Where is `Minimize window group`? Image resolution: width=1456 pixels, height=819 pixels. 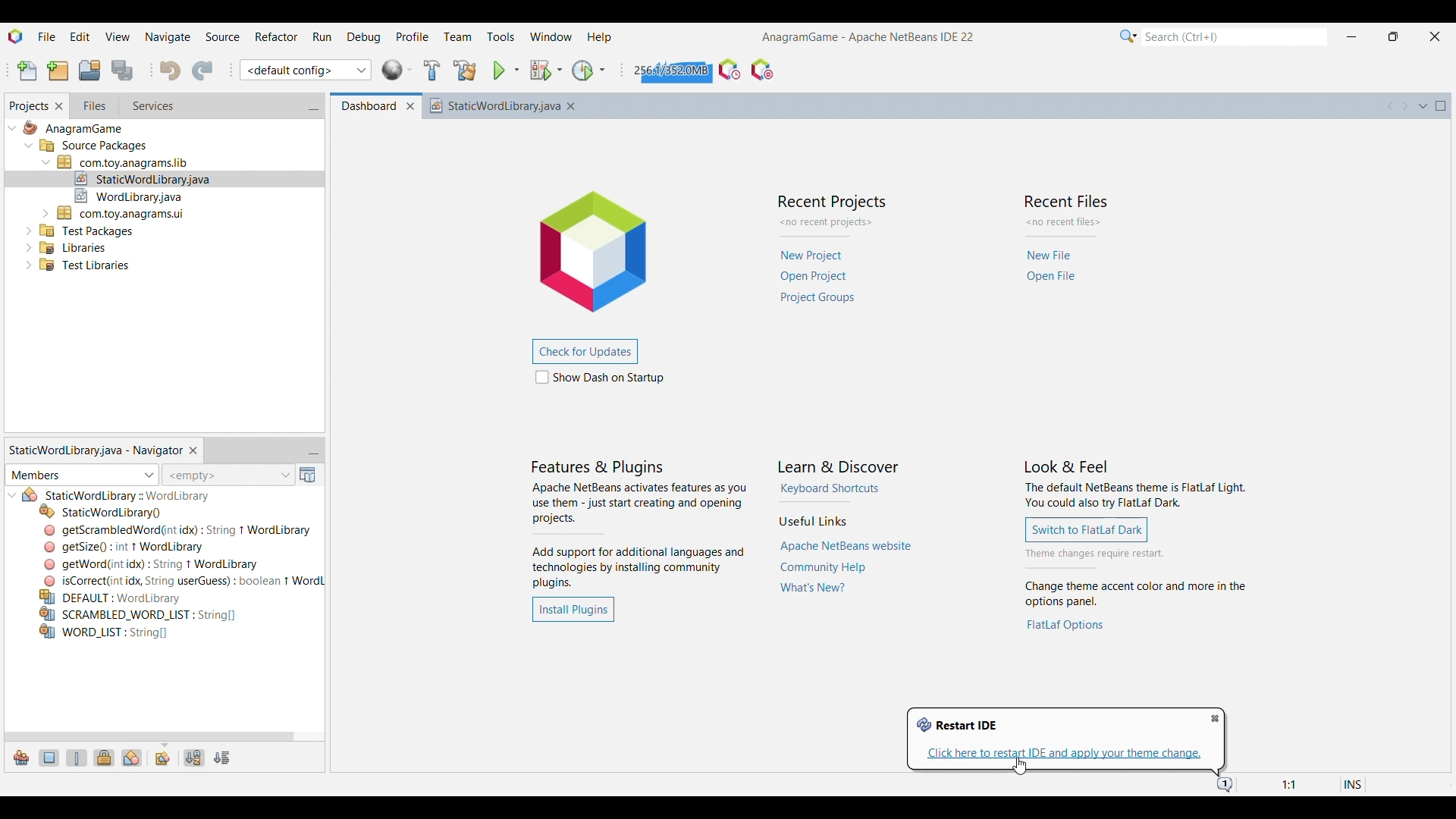
Minimize window group is located at coordinates (313, 107).